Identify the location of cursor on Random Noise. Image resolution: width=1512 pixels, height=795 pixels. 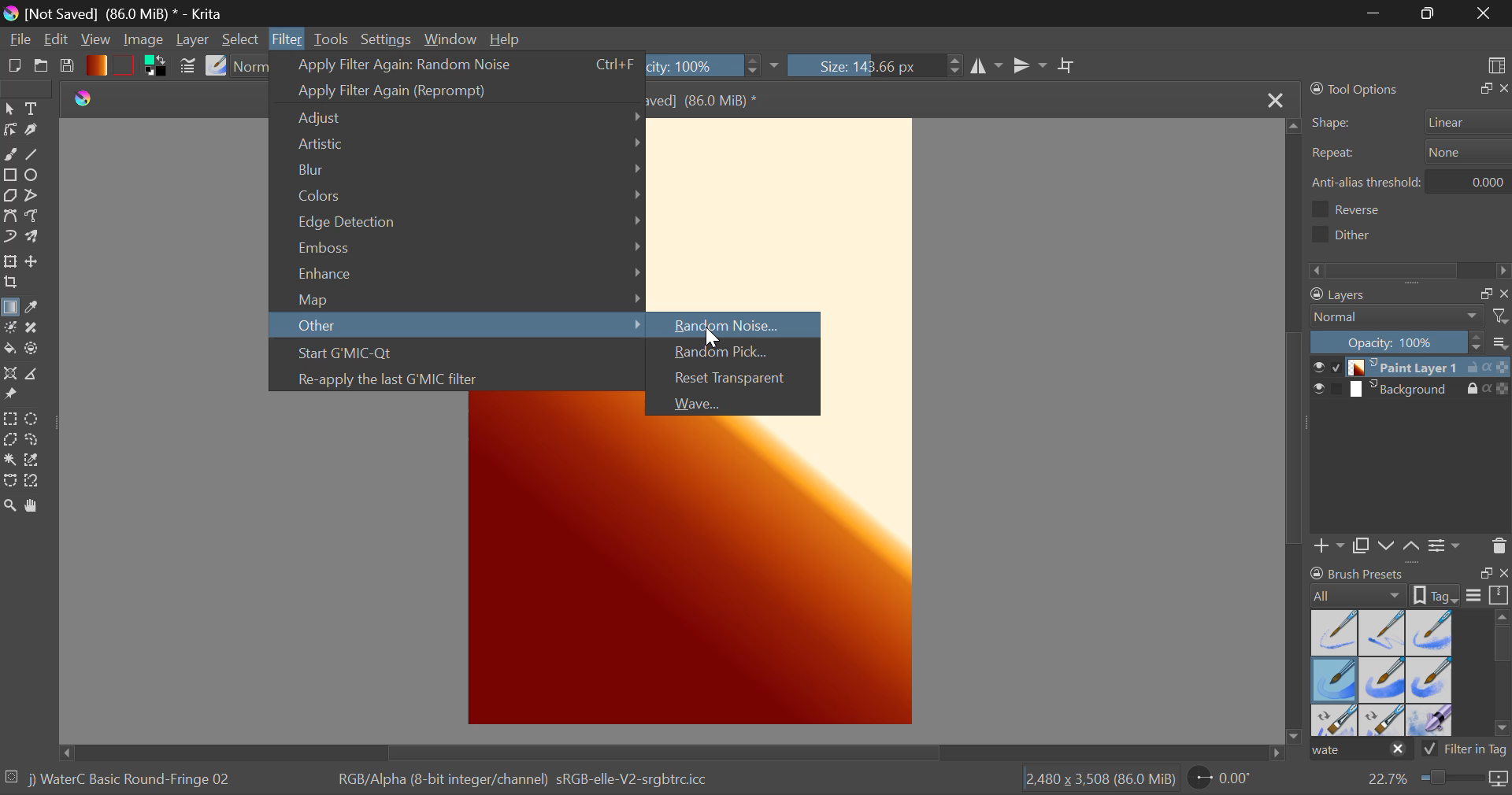
(714, 338).